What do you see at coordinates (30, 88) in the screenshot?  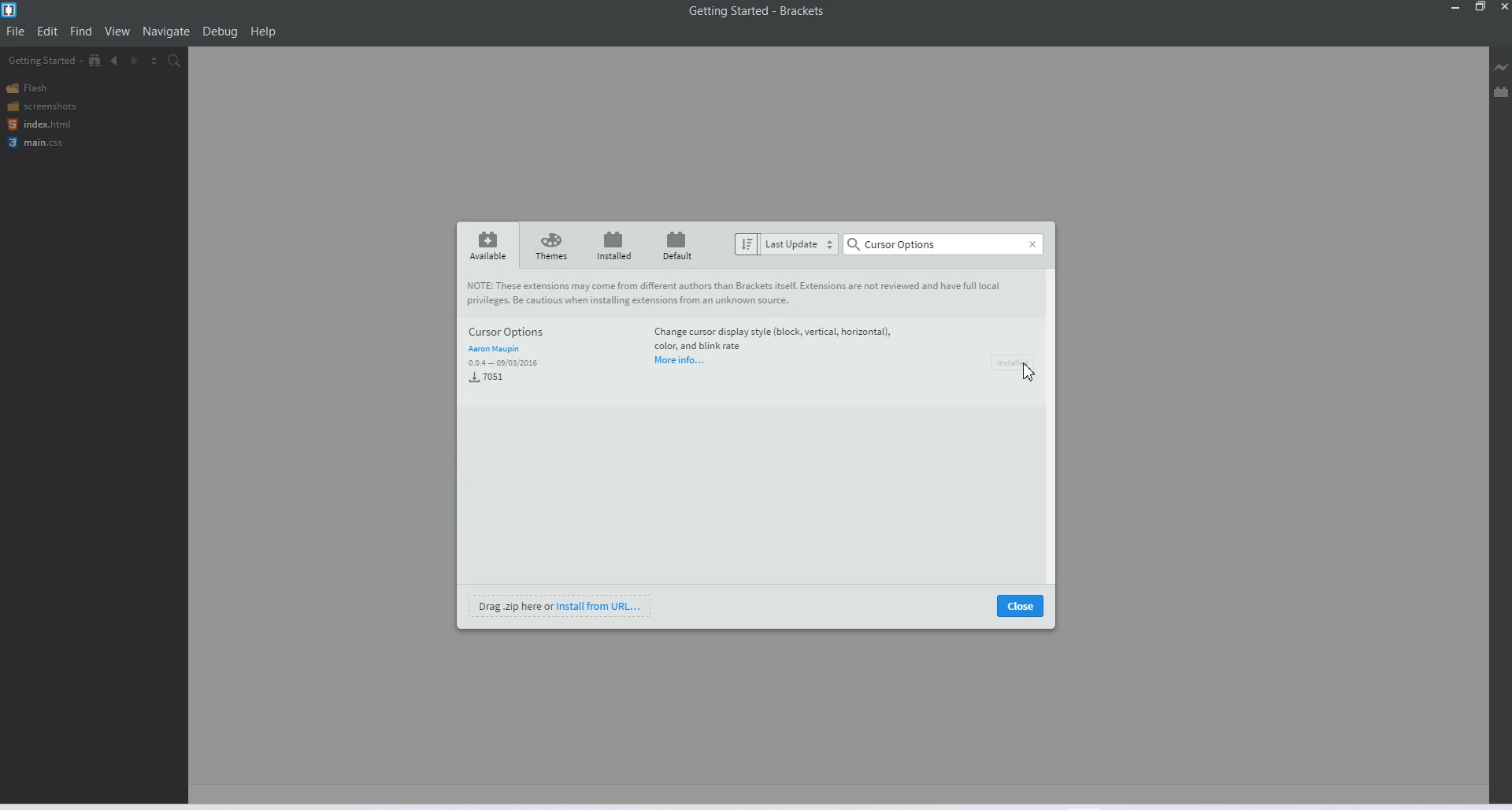 I see `Flash` at bounding box center [30, 88].